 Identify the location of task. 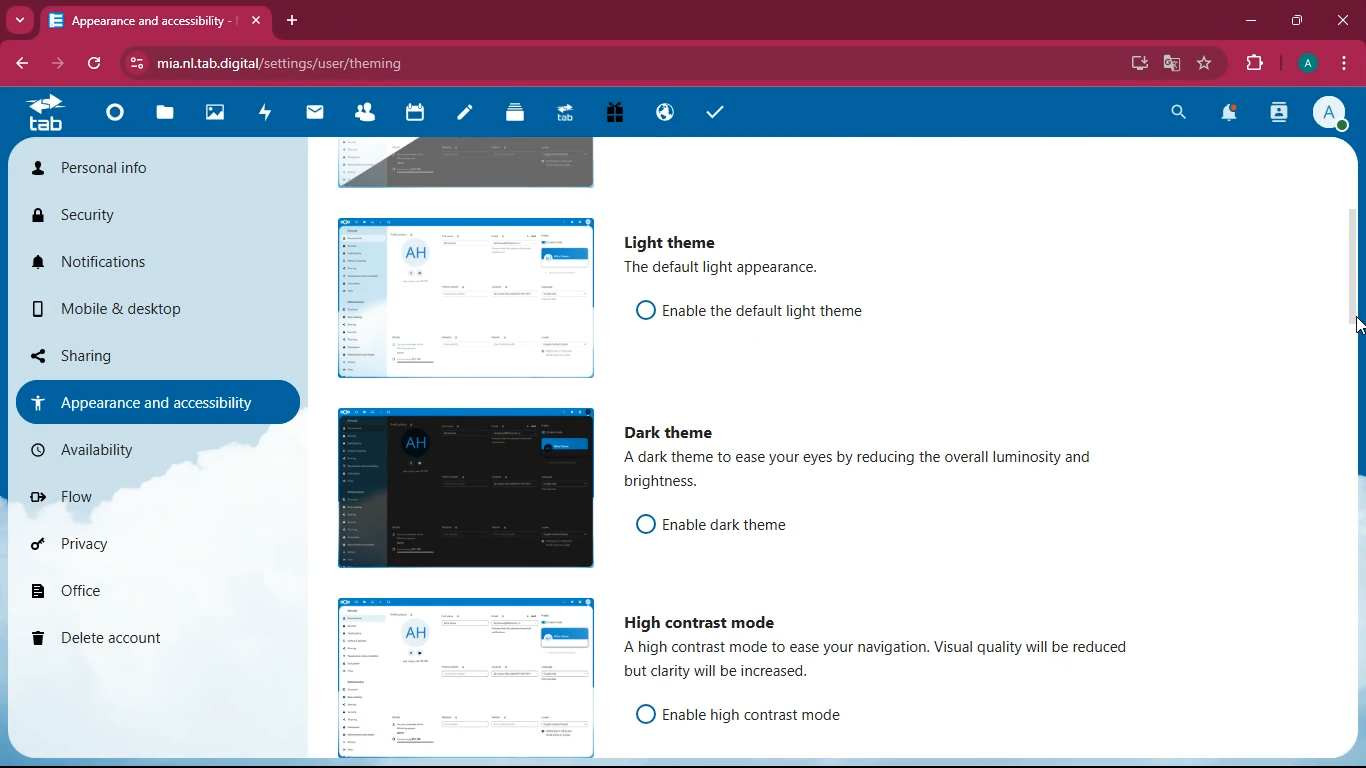
(711, 112).